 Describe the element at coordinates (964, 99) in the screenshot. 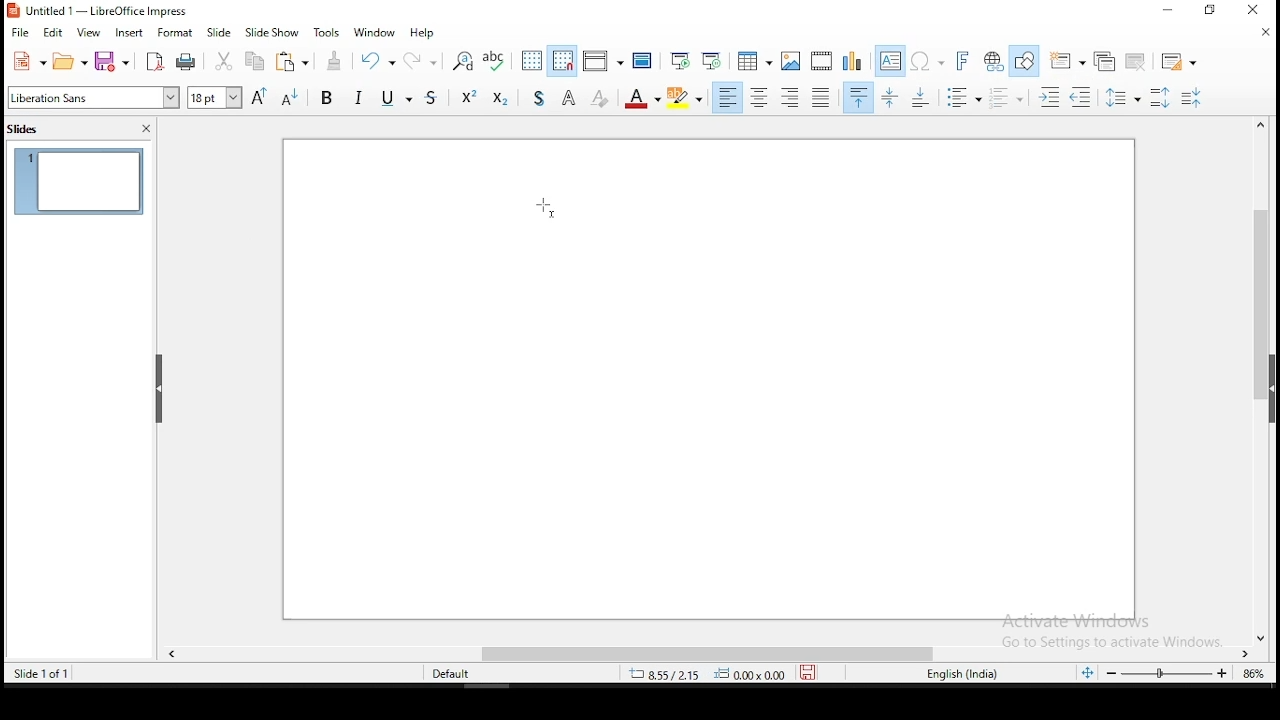

I see `toggle unordered list` at that location.